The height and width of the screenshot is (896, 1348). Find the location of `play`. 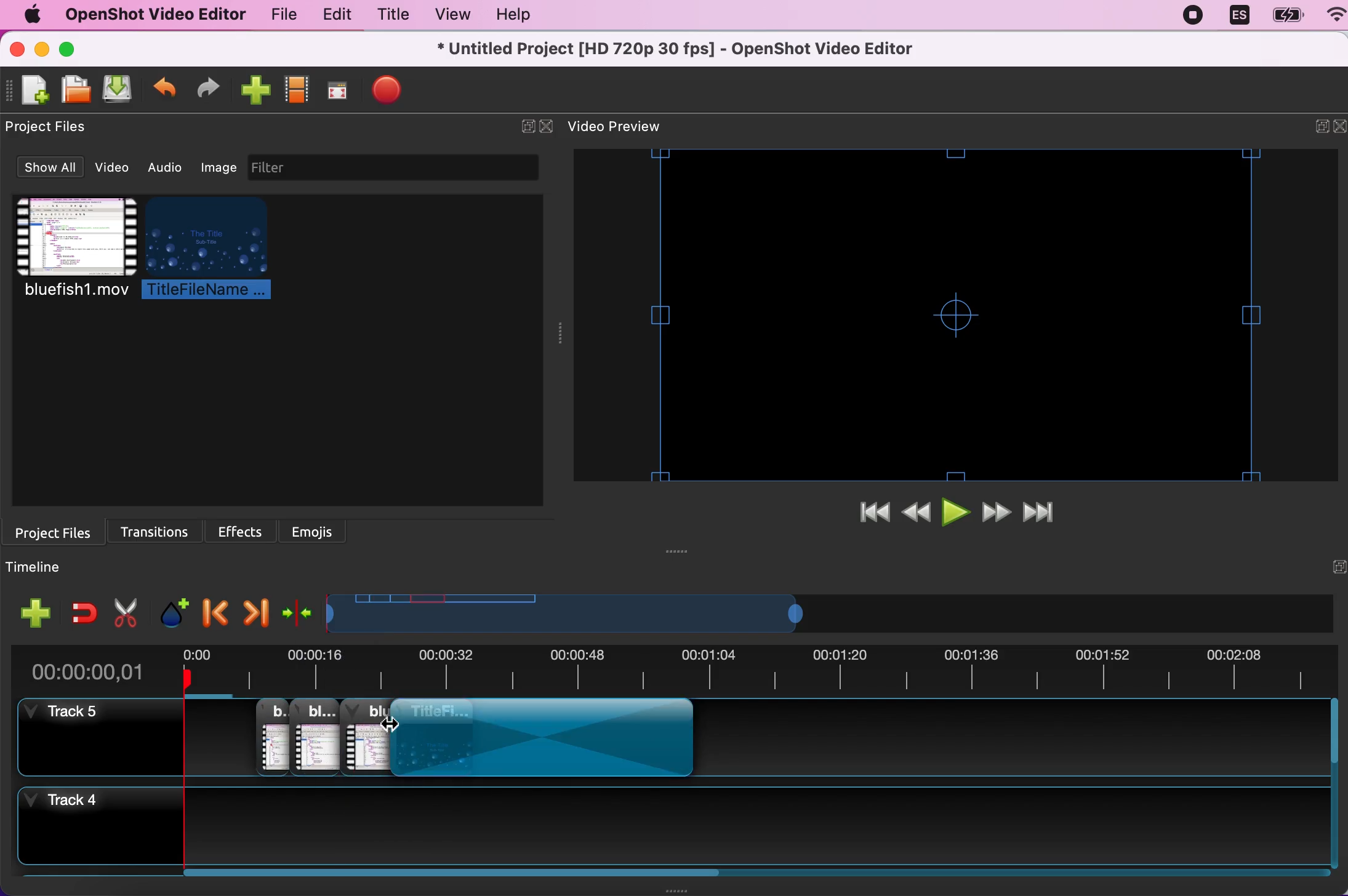

play is located at coordinates (957, 514).